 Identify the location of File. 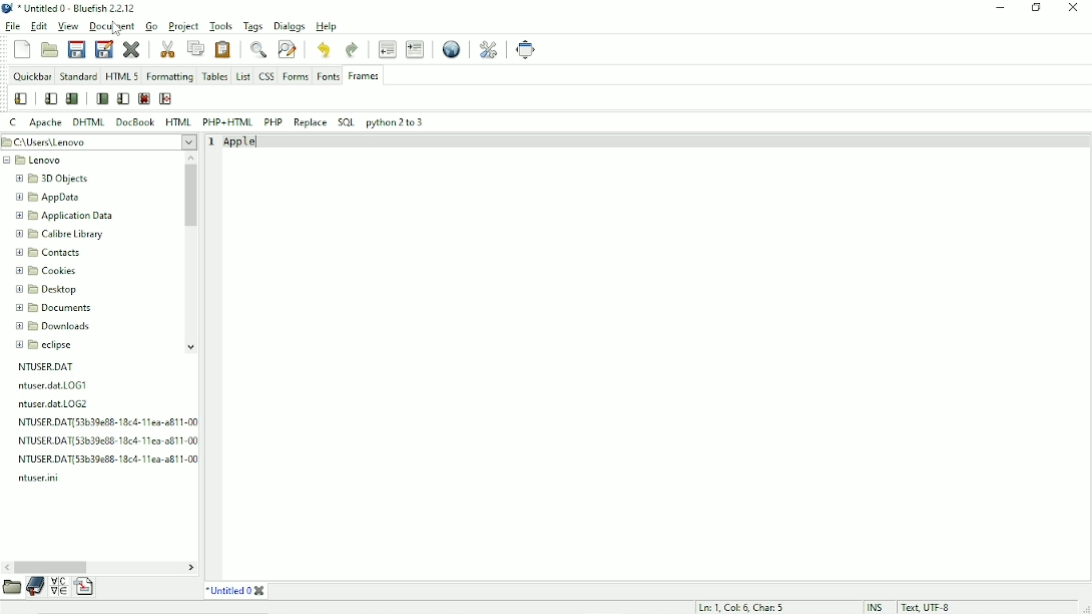
(14, 26).